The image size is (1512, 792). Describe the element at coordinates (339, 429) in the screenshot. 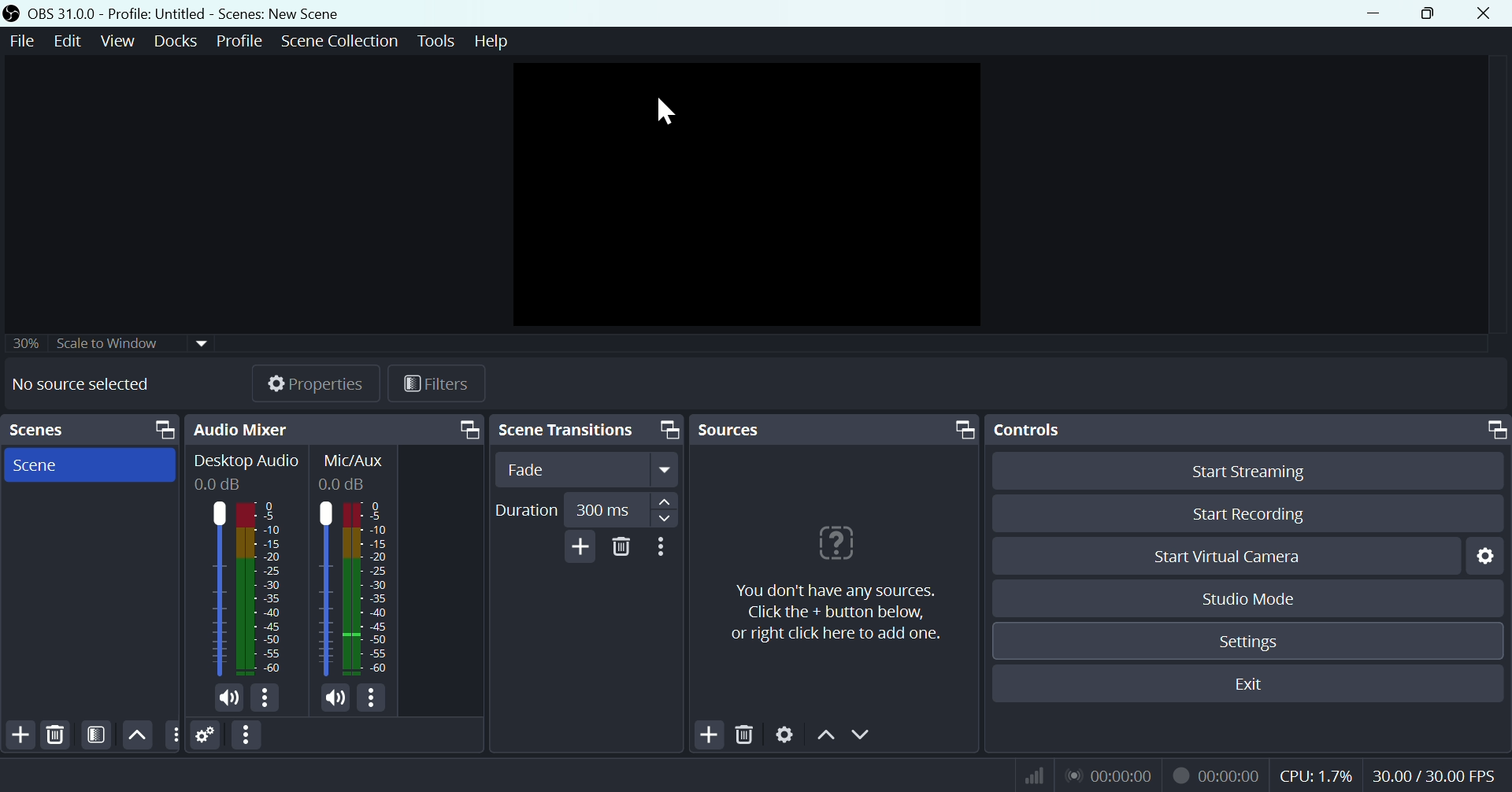

I see `Audio mixer` at that location.